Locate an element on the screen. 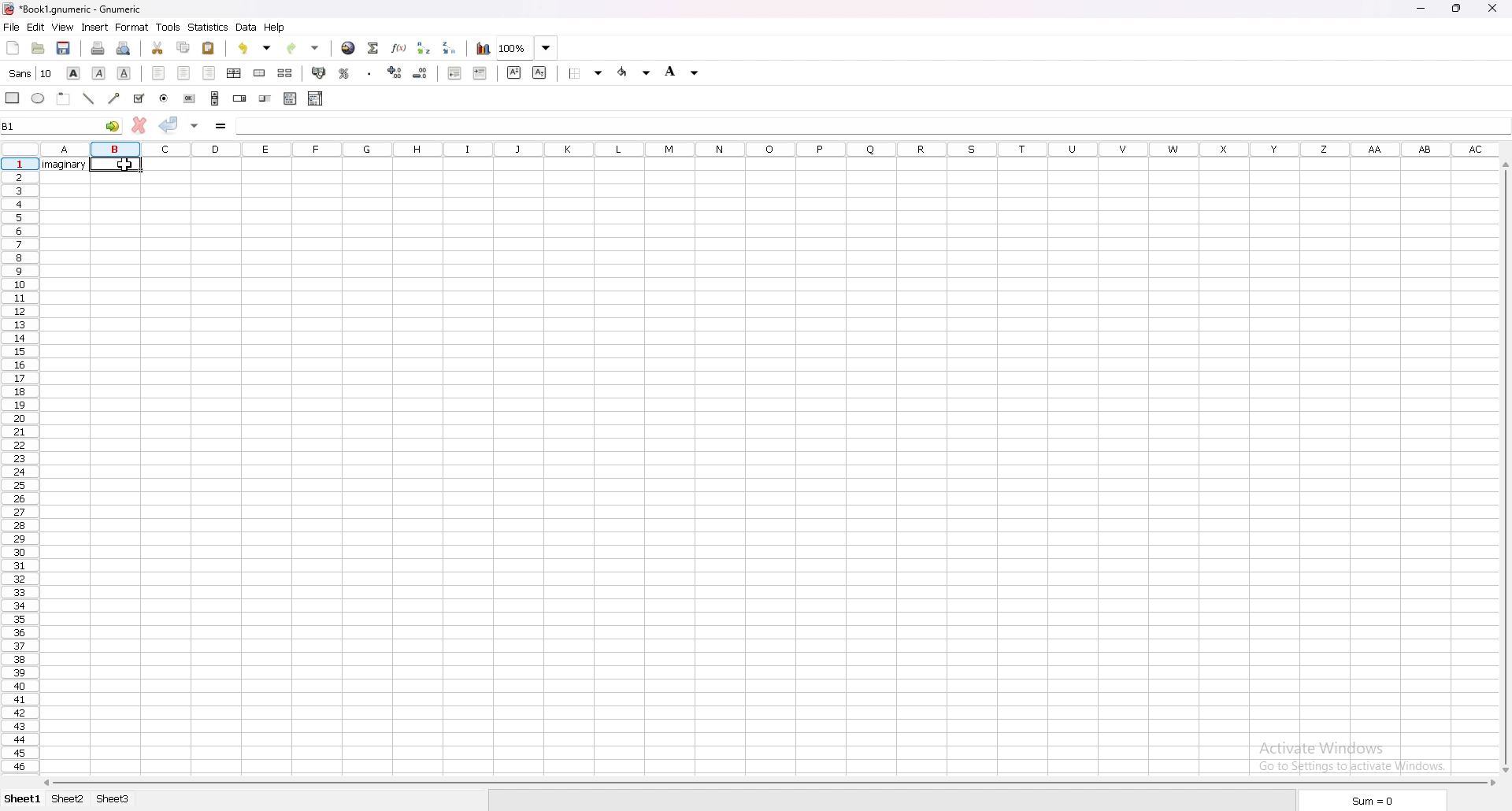 The height and width of the screenshot is (811, 1512). centre is located at coordinates (183, 72).